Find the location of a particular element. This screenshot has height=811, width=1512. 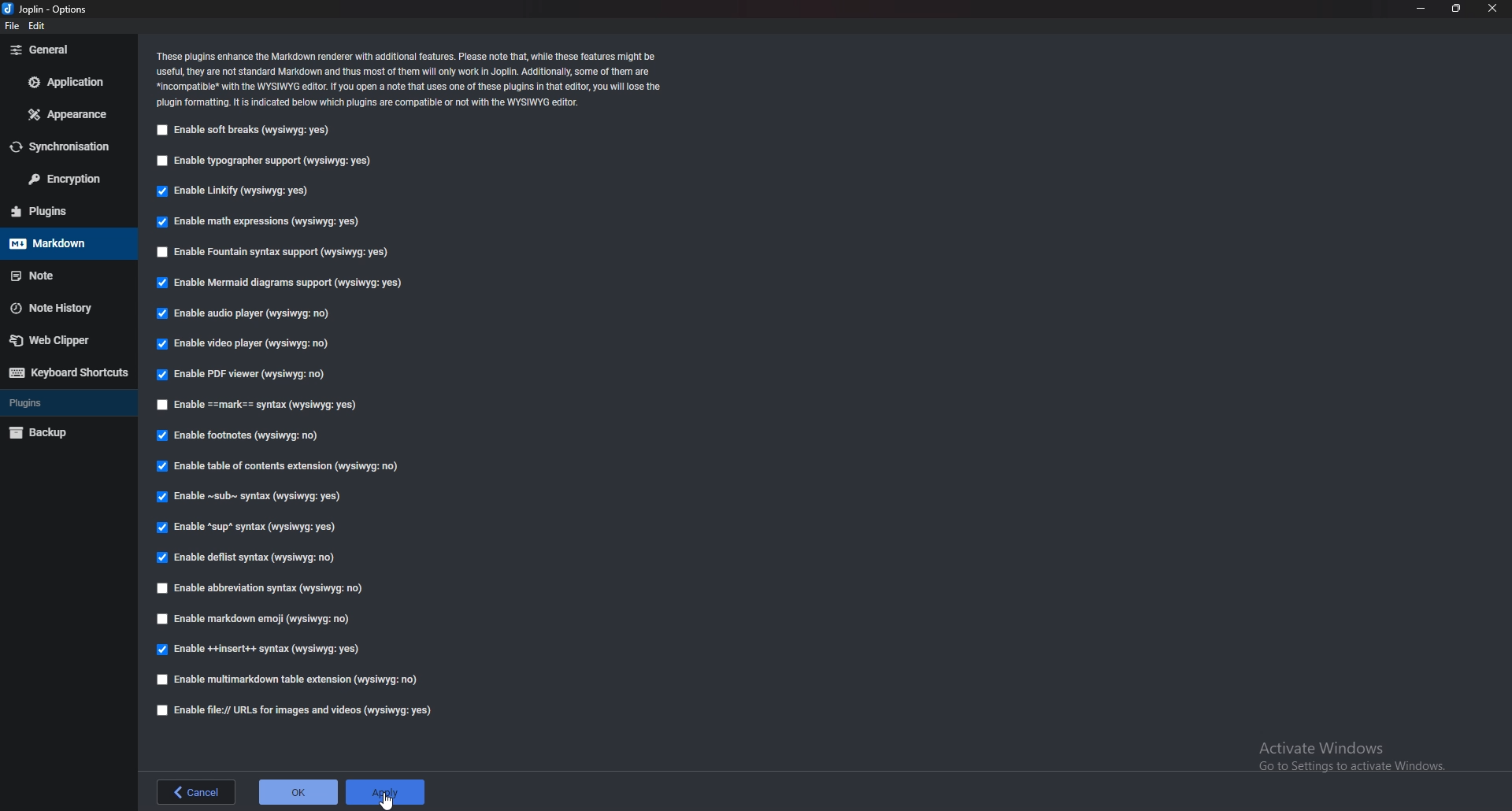

Enable typographer support is located at coordinates (272, 162).